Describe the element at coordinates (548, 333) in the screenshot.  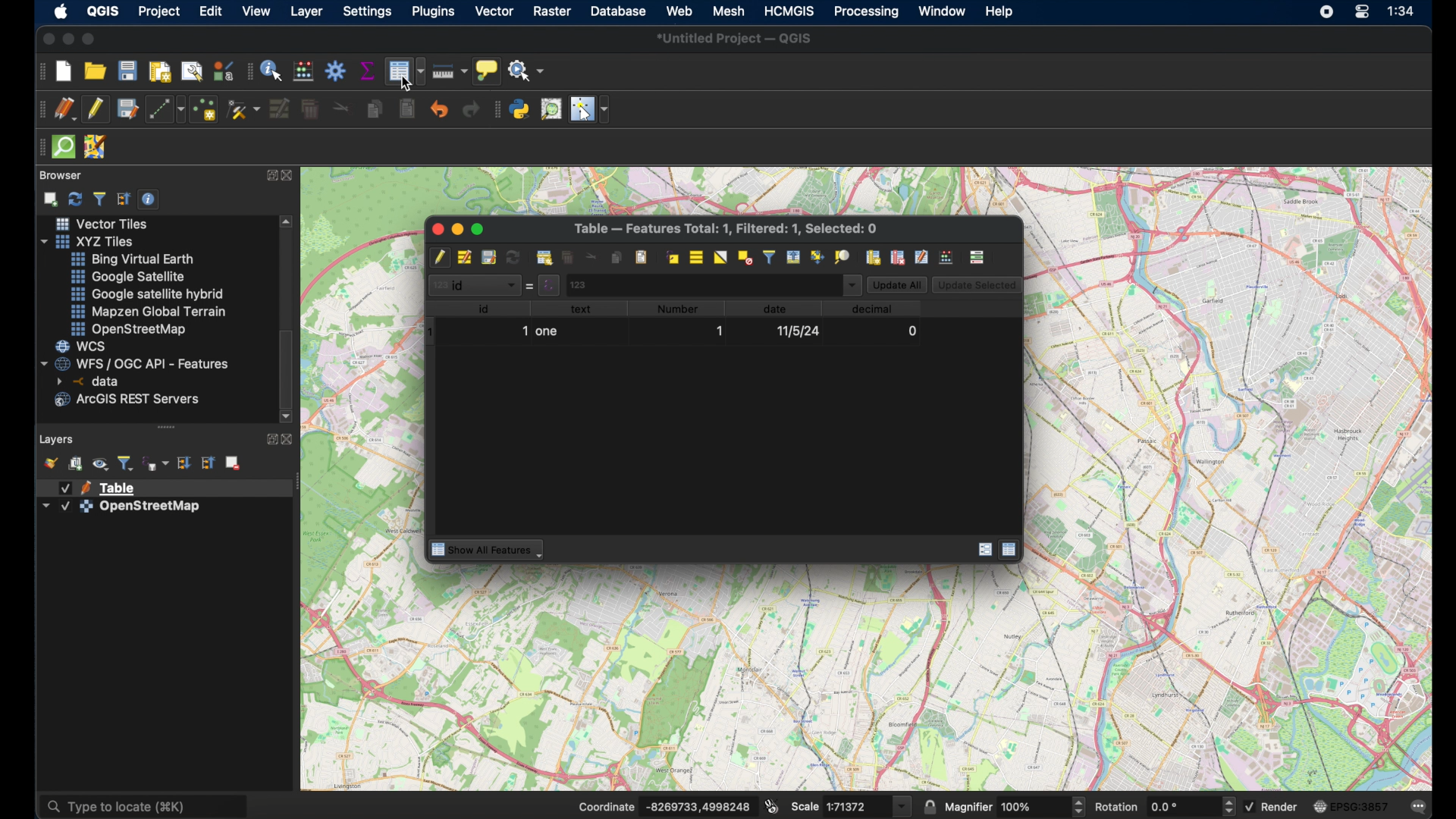
I see `one` at that location.